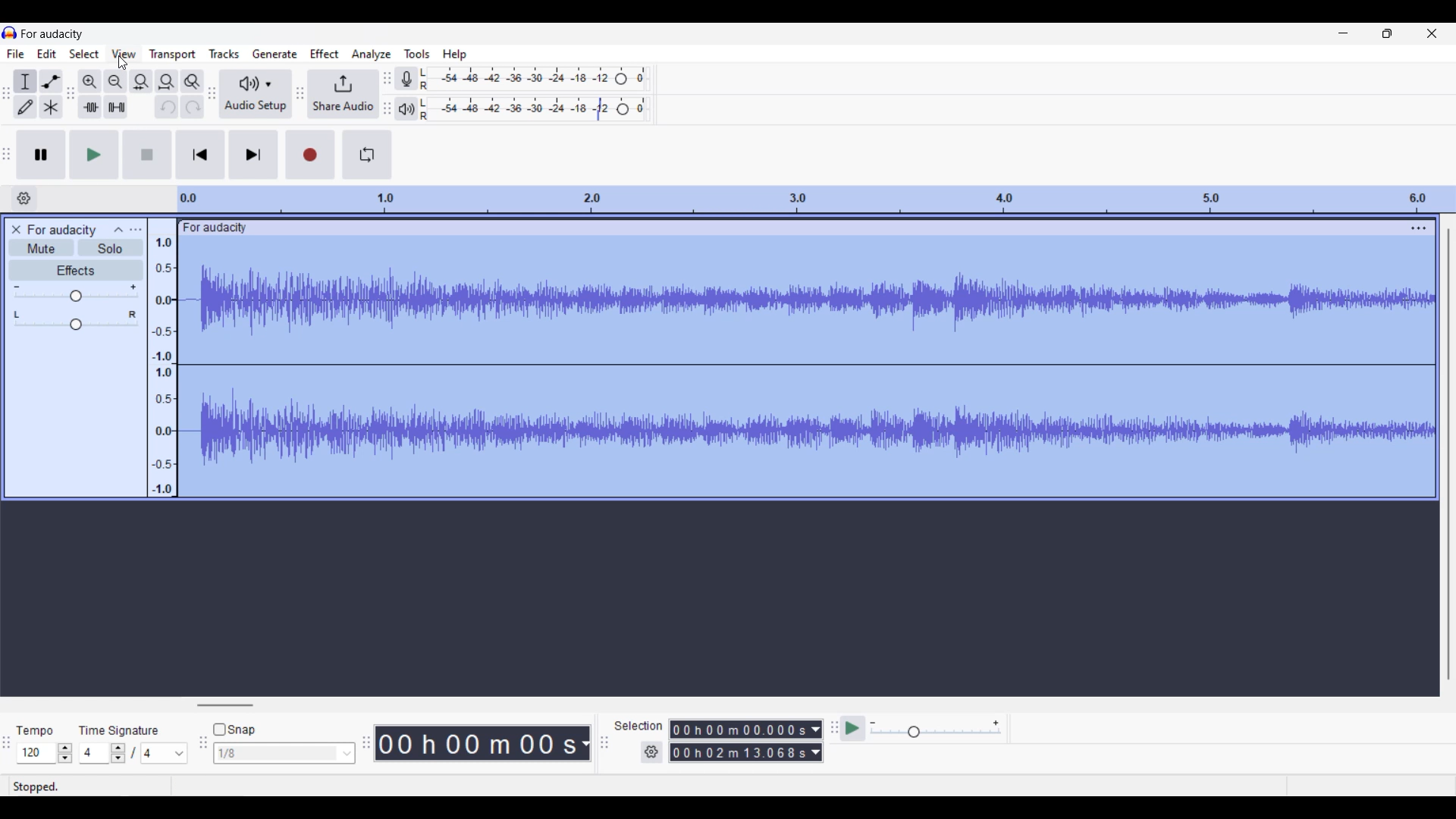 This screenshot has height=819, width=1456. What do you see at coordinates (116, 107) in the screenshot?
I see `Silence audio selection` at bounding box center [116, 107].